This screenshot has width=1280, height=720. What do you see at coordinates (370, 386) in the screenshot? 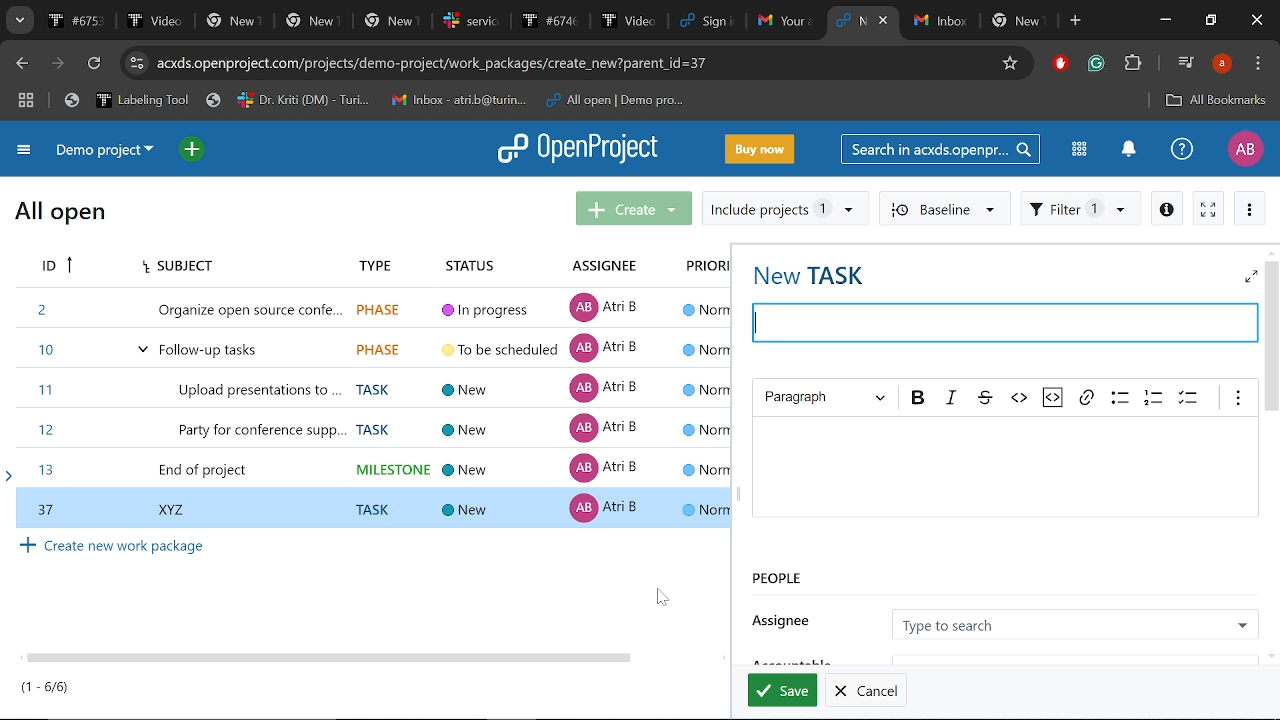
I see `Existing tasks` at bounding box center [370, 386].